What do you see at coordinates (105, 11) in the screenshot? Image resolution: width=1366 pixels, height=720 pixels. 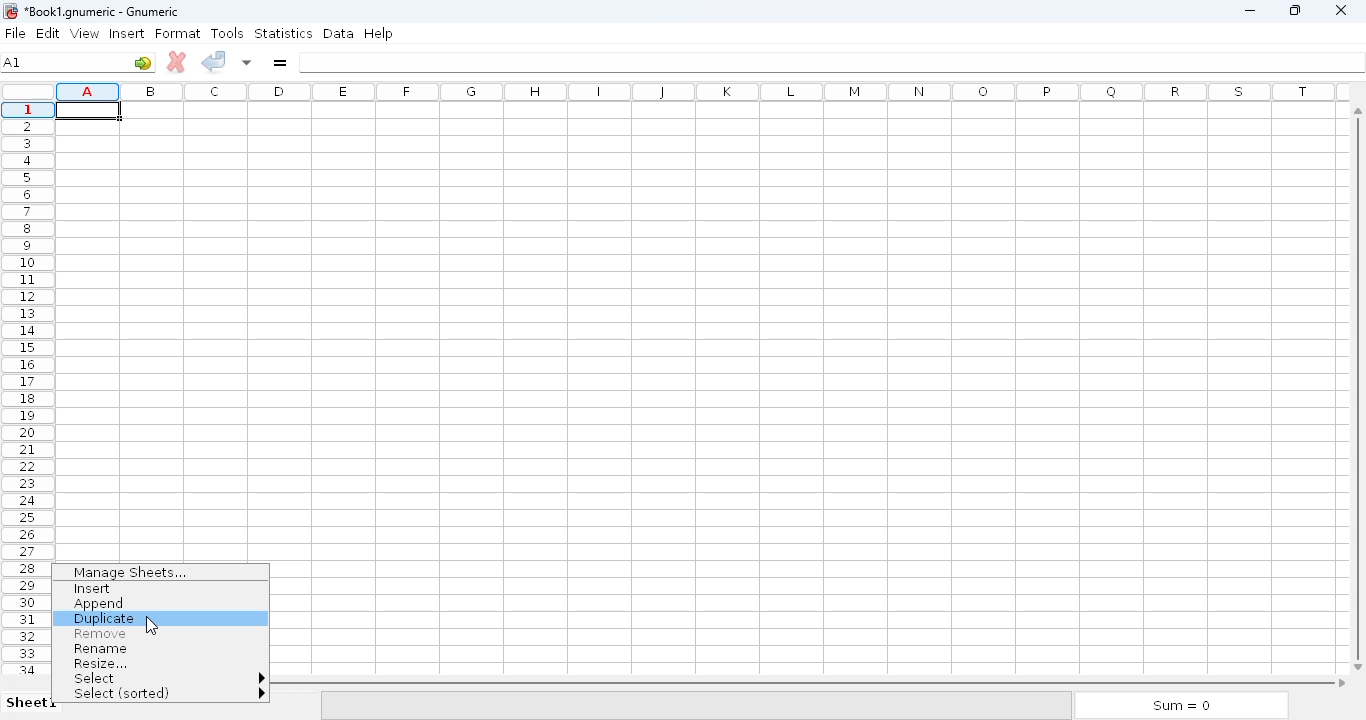 I see `*Book1.gnumeric - Gnumeric` at bounding box center [105, 11].